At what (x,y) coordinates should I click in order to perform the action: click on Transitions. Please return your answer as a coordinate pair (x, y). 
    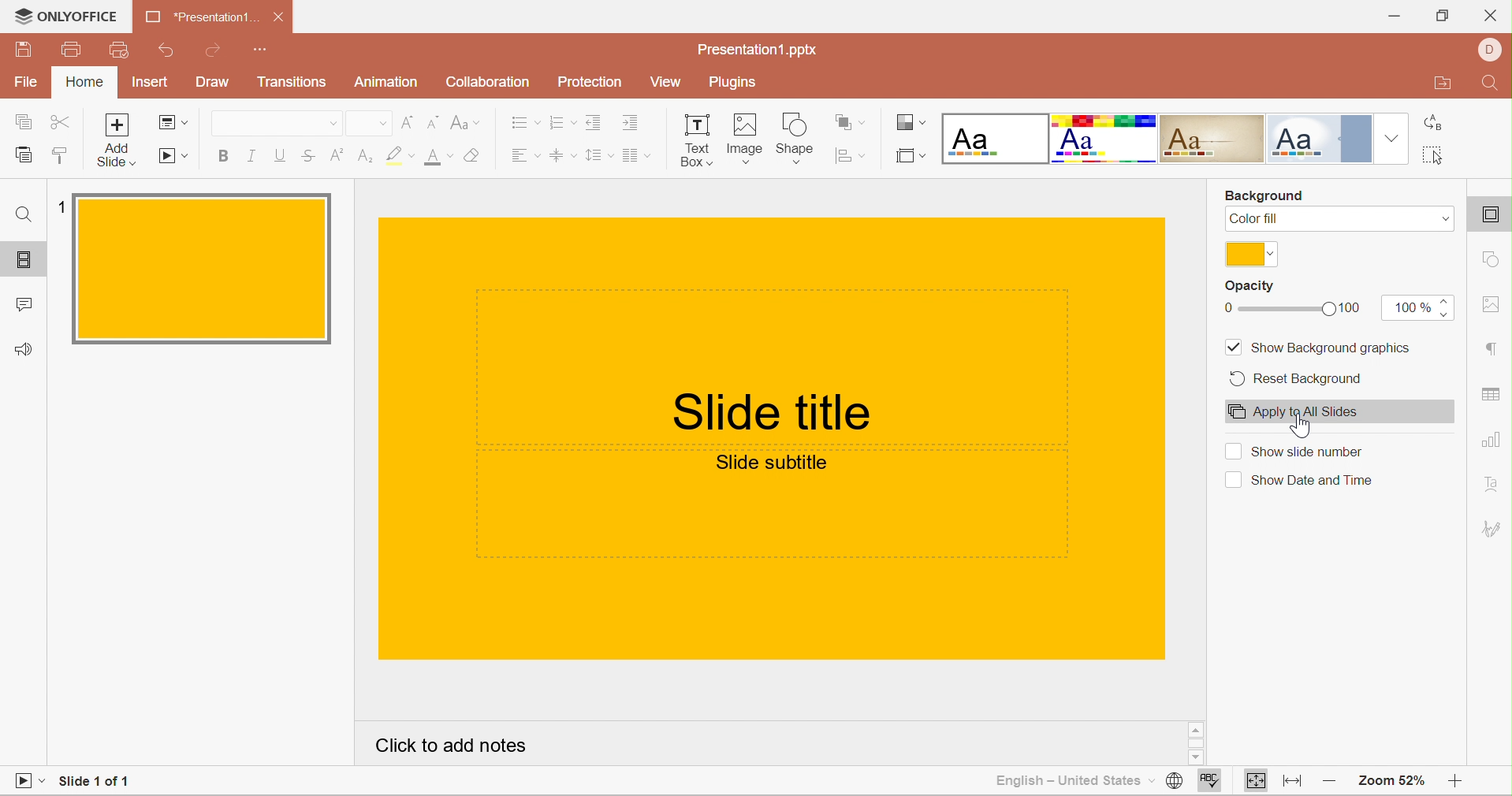
    Looking at the image, I should click on (291, 85).